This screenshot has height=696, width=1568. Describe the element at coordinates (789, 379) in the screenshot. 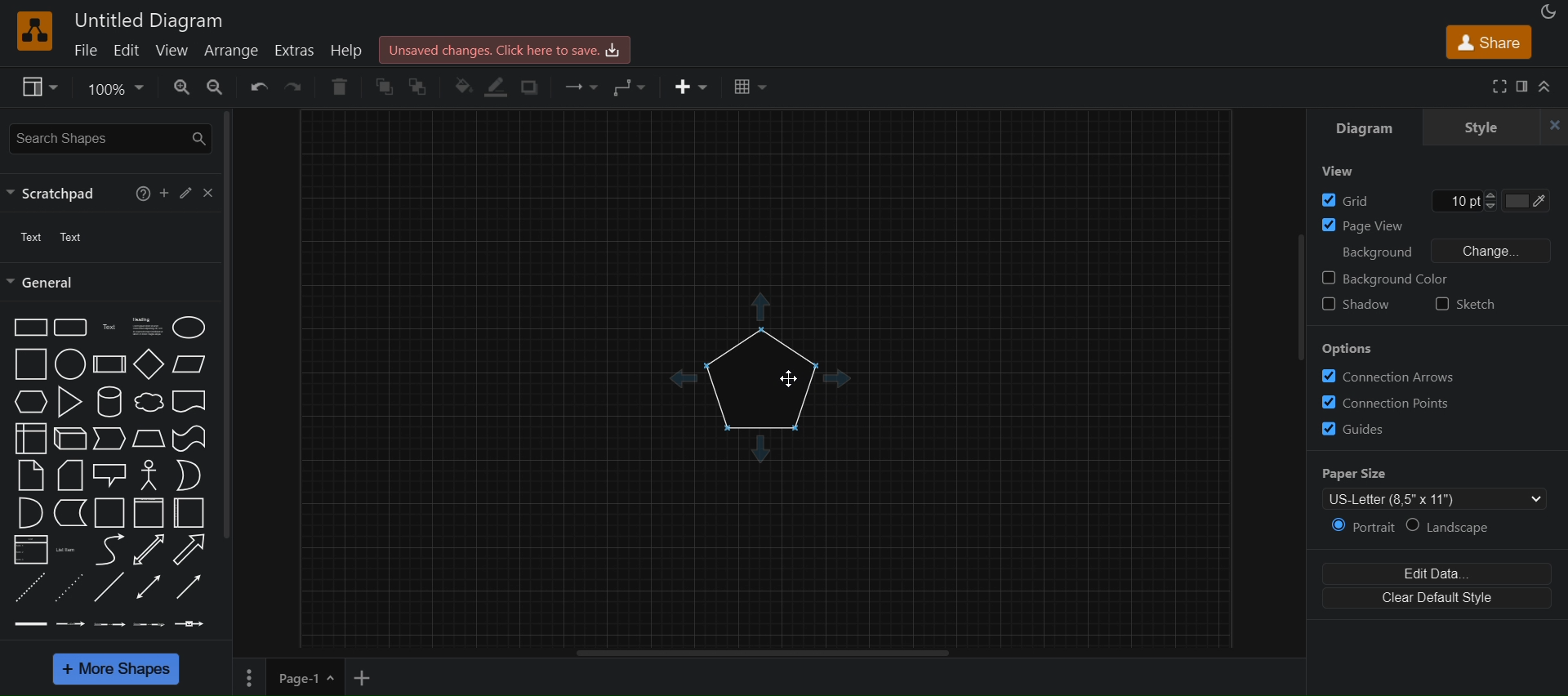

I see `Cursor` at that location.